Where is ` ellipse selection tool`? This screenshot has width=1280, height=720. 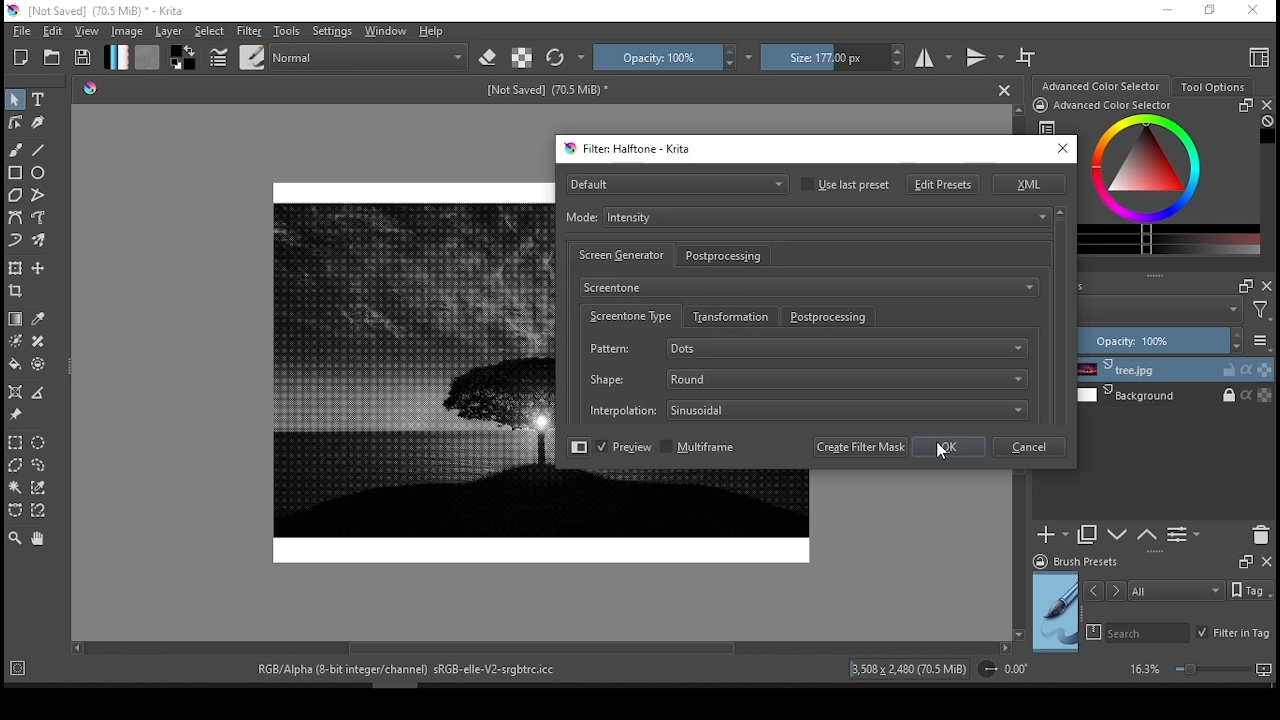  ellipse selection tool is located at coordinates (38, 442).